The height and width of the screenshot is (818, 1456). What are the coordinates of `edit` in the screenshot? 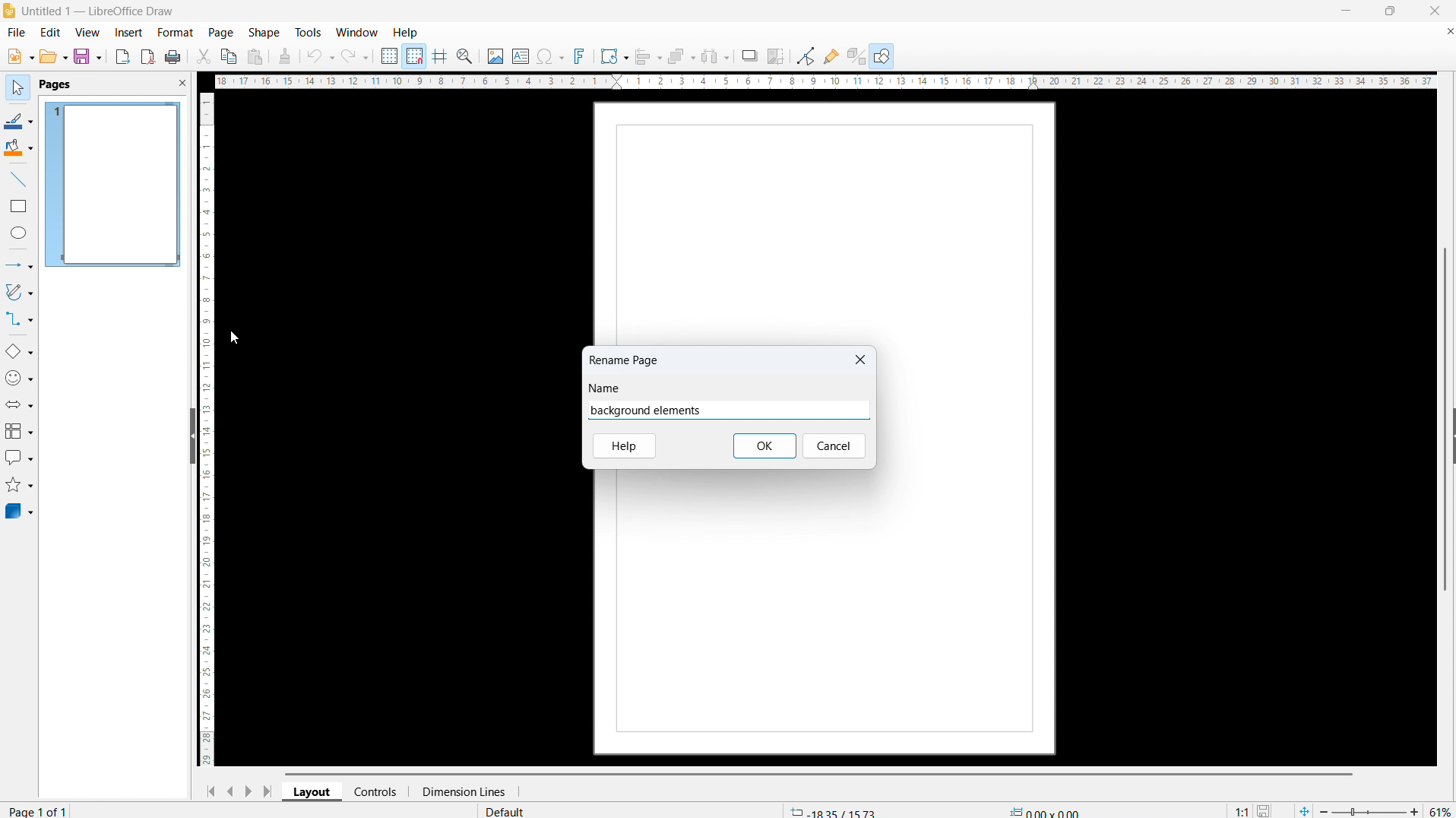 It's located at (49, 33).